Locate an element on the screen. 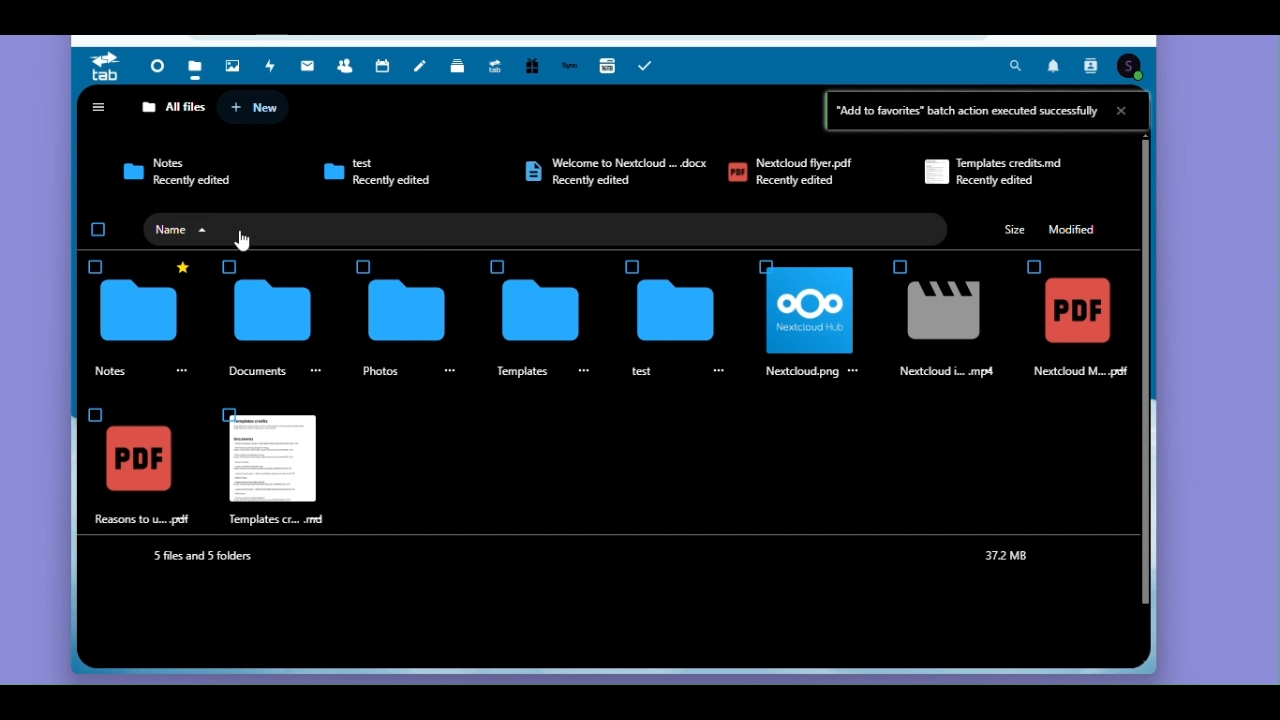 The image size is (1280, 720). Notes is located at coordinates (176, 161).